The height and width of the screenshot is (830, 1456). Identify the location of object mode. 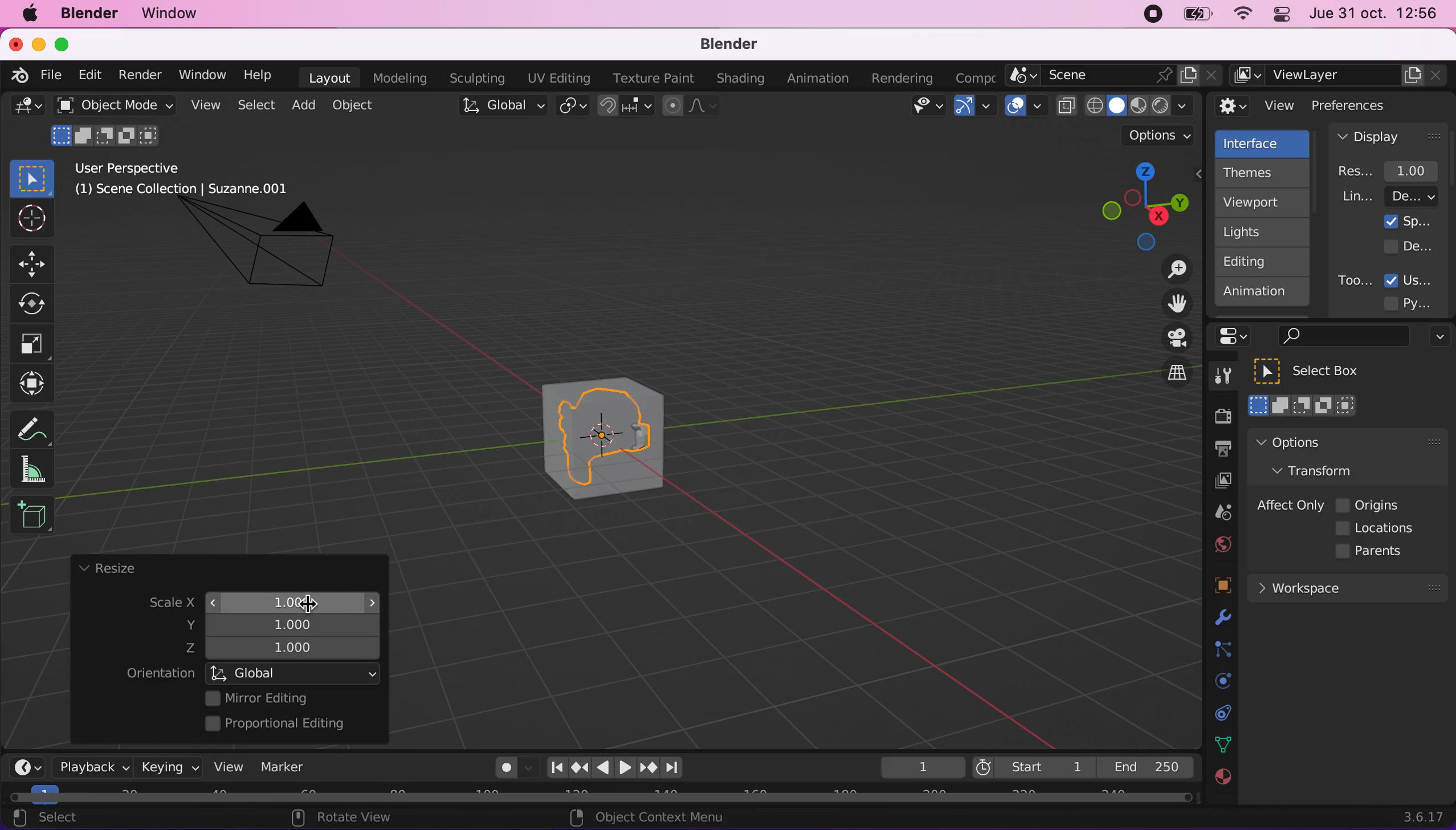
(111, 105).